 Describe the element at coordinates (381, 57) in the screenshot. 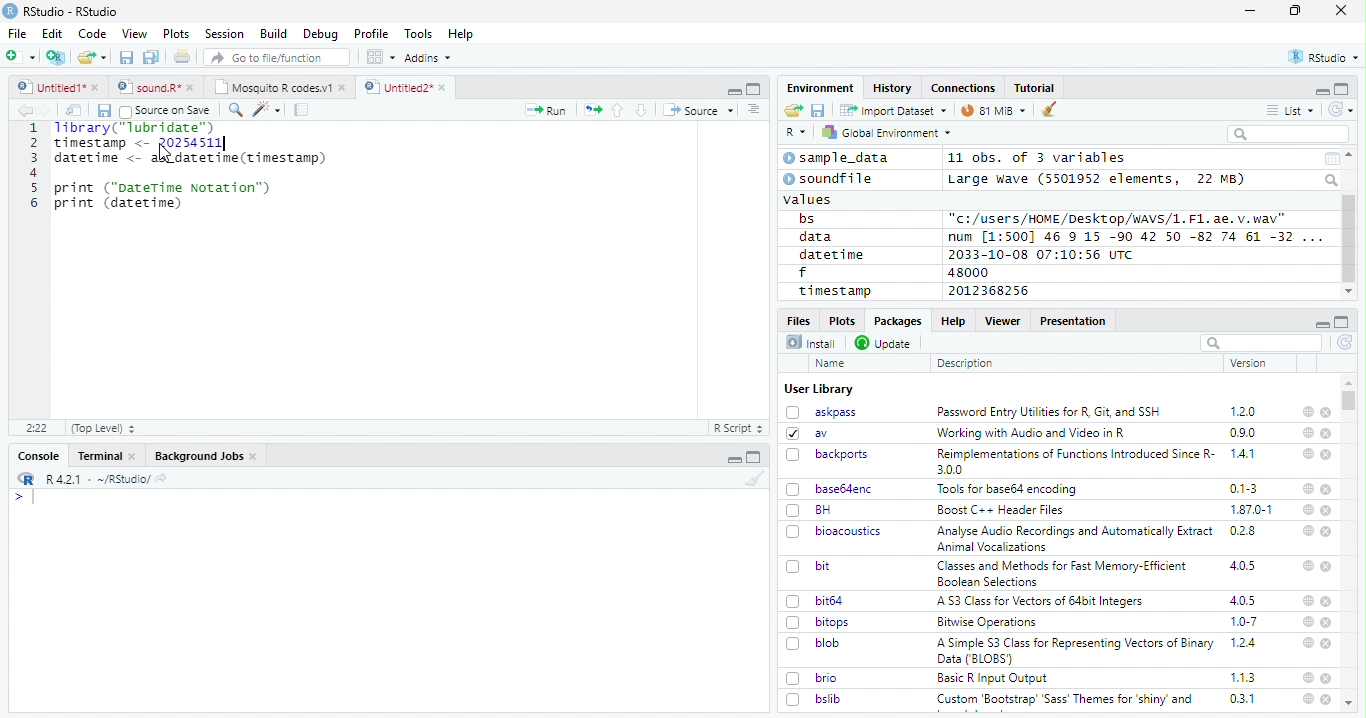

I see `Workspace panes` at that location.